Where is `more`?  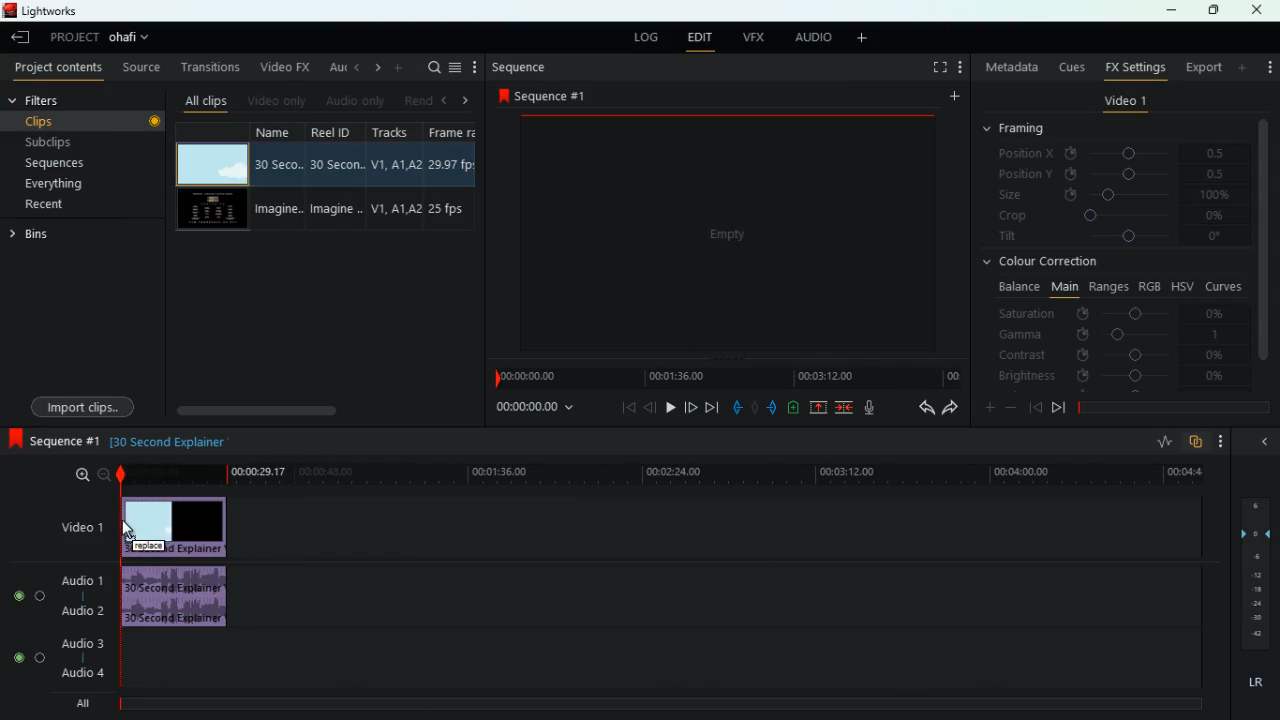
more is located at coordinates (475, 67).